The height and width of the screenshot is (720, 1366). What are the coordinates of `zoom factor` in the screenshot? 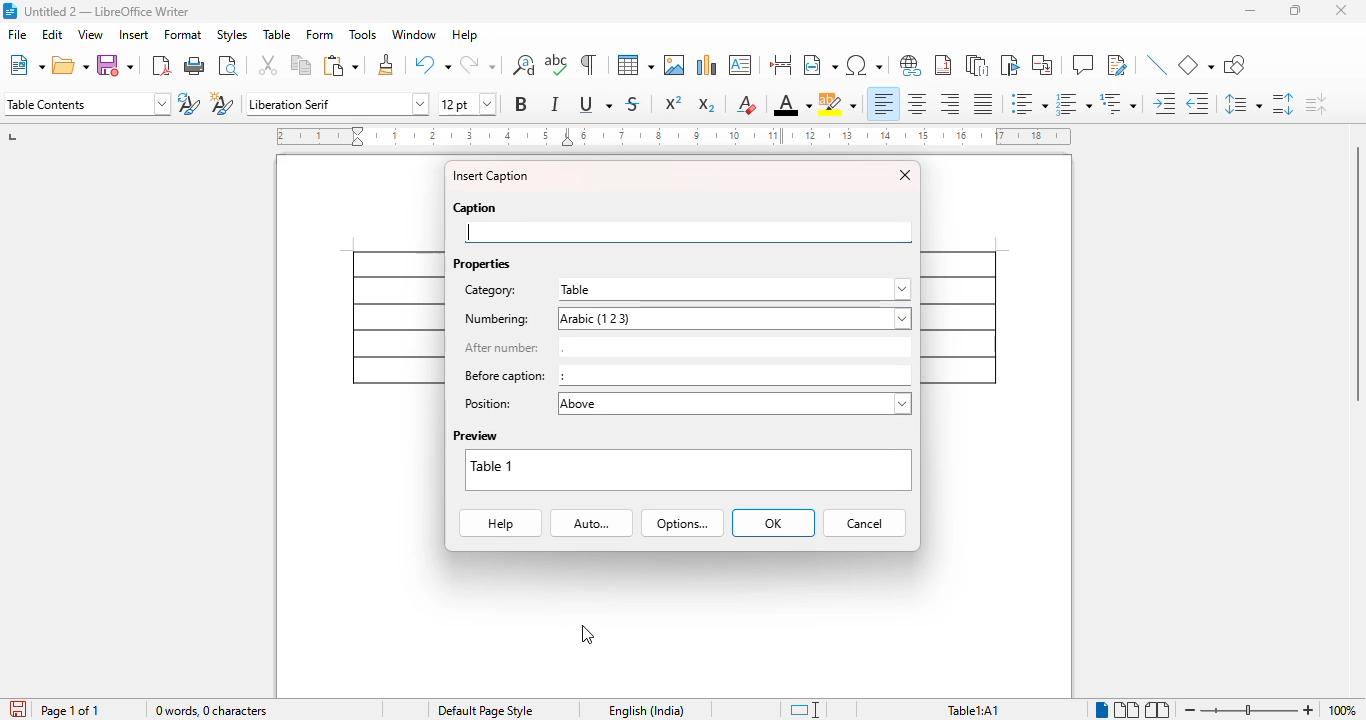 It's located at (1342, 710).